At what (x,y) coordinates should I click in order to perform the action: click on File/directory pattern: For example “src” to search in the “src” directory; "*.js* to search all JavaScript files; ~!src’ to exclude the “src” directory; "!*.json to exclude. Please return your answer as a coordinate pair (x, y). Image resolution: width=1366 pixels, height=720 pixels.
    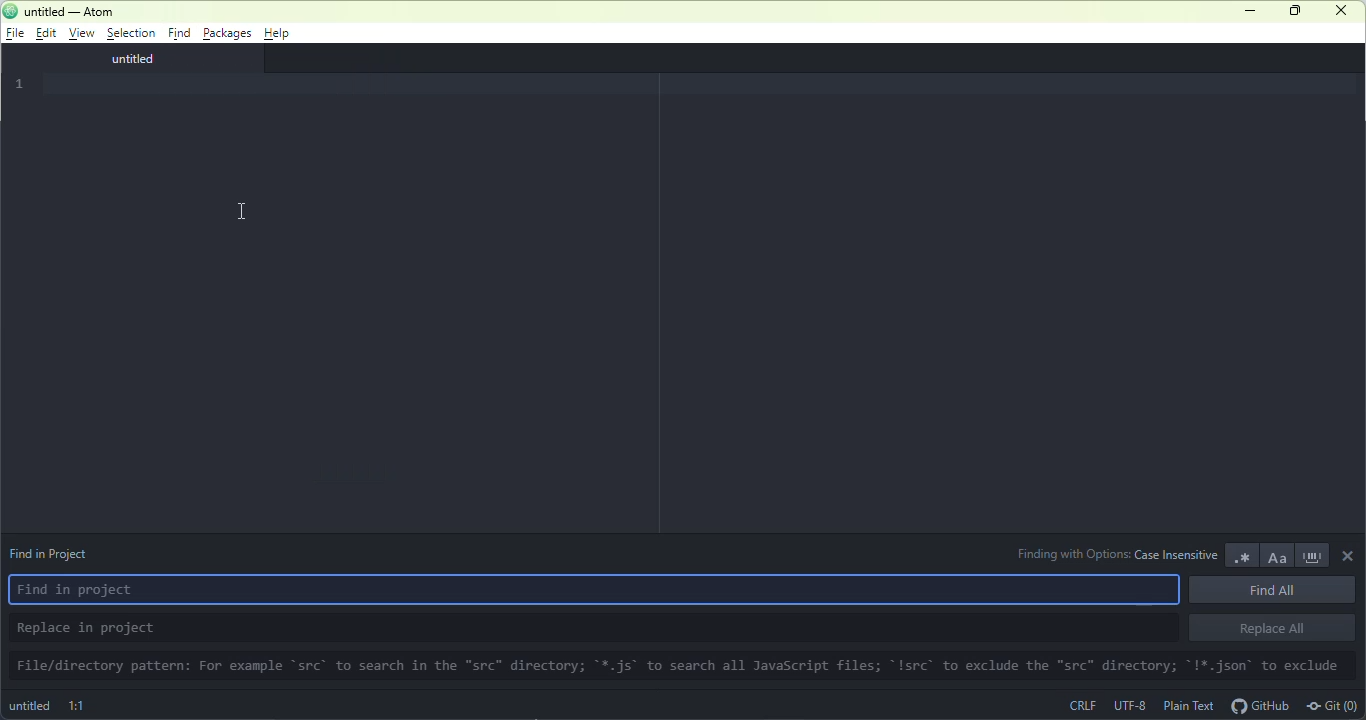
    Looking at the image, I should click on (682, 667).